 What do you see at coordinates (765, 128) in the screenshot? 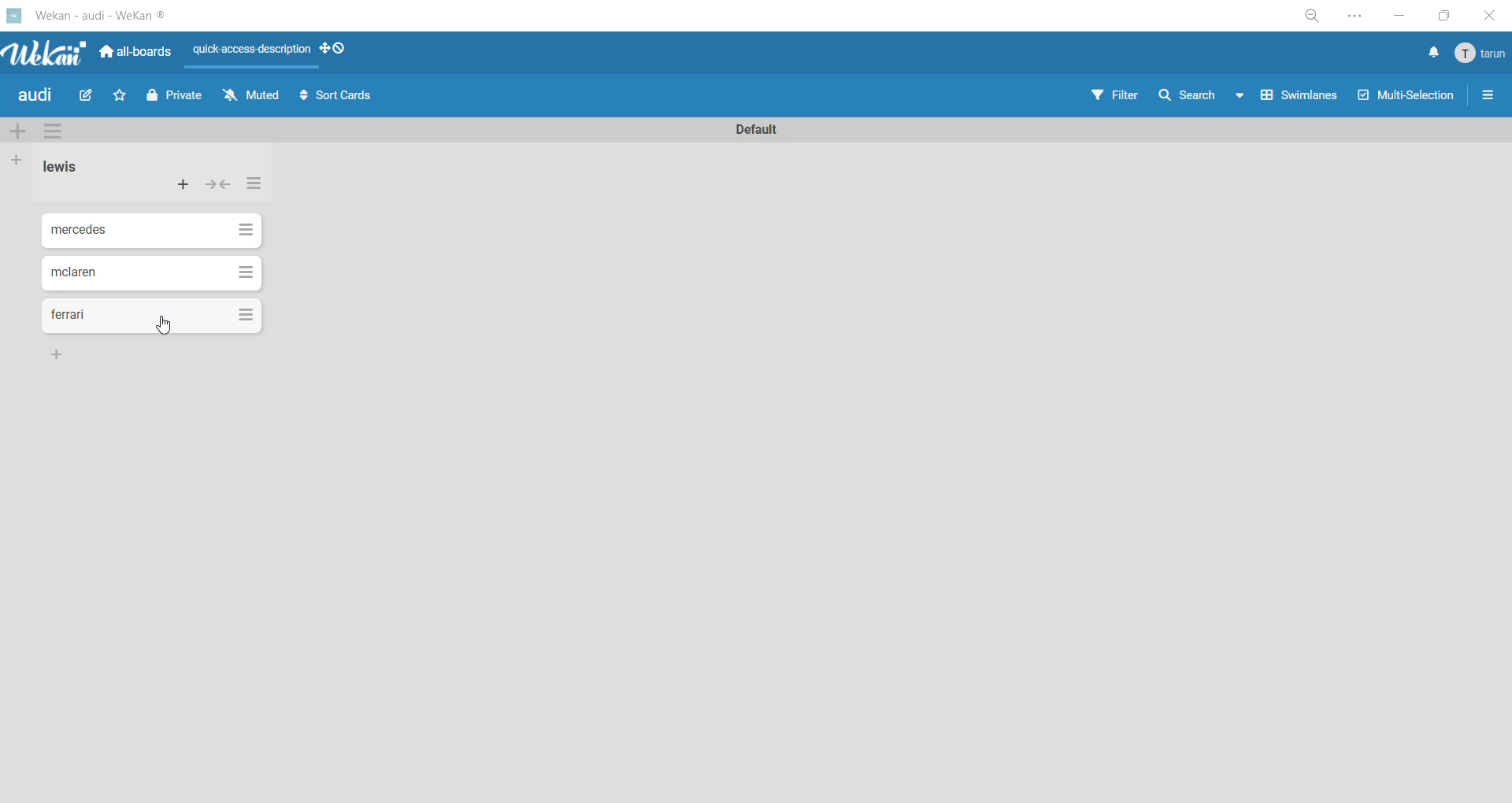
I see `swimlane title` at bounding box center [765, 128].